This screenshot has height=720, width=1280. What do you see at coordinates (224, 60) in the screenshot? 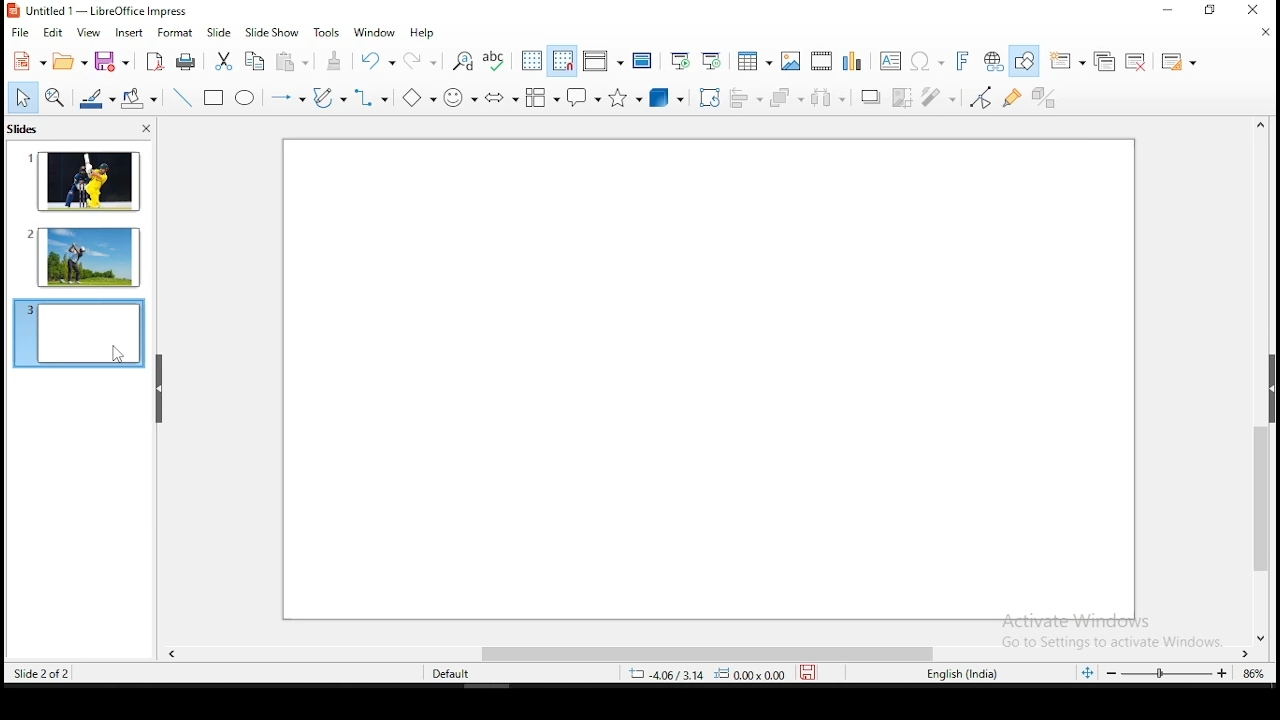
I see `cut` at bounding box center [224, 60].